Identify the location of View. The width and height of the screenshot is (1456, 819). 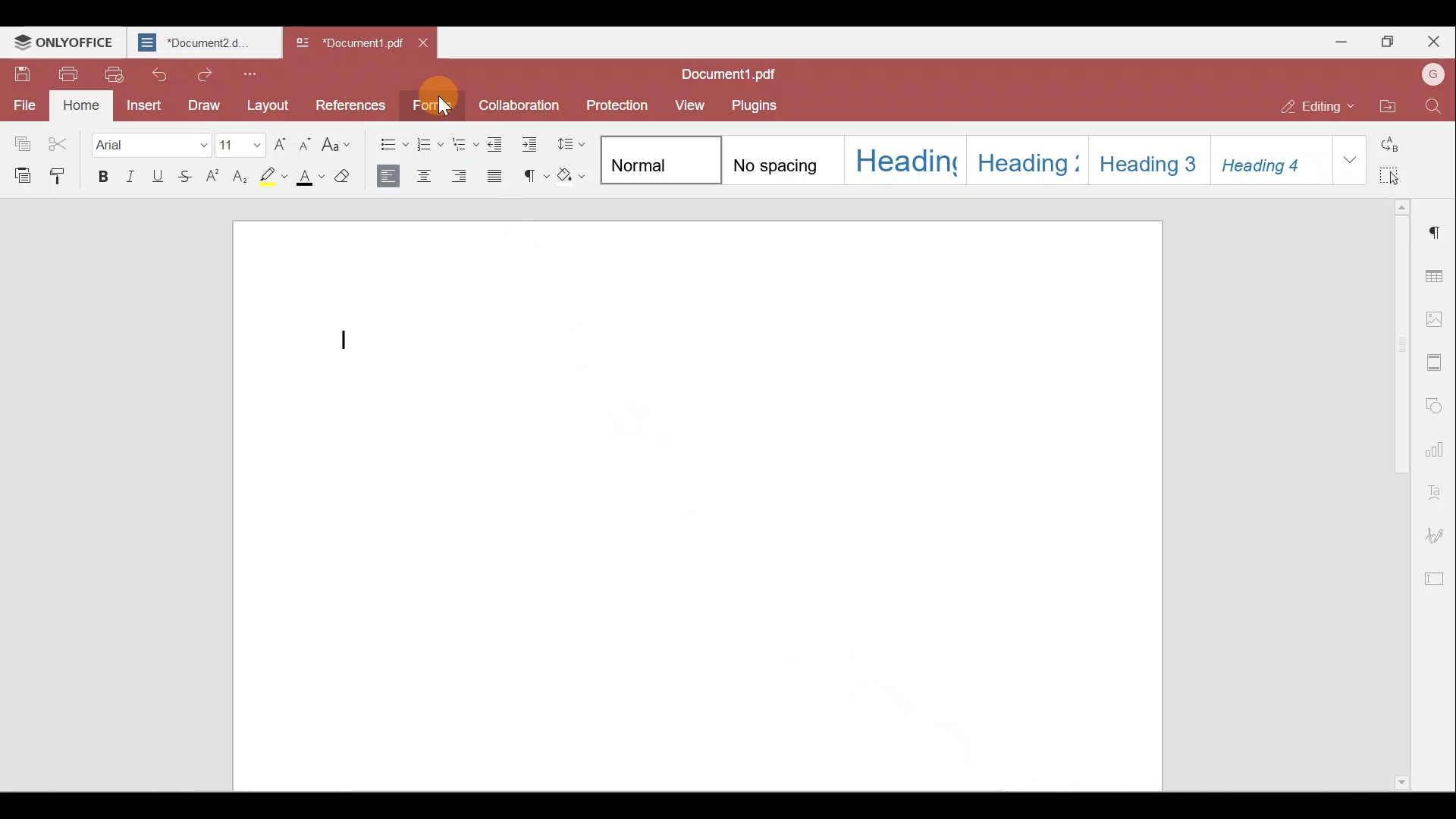
(691, 107).